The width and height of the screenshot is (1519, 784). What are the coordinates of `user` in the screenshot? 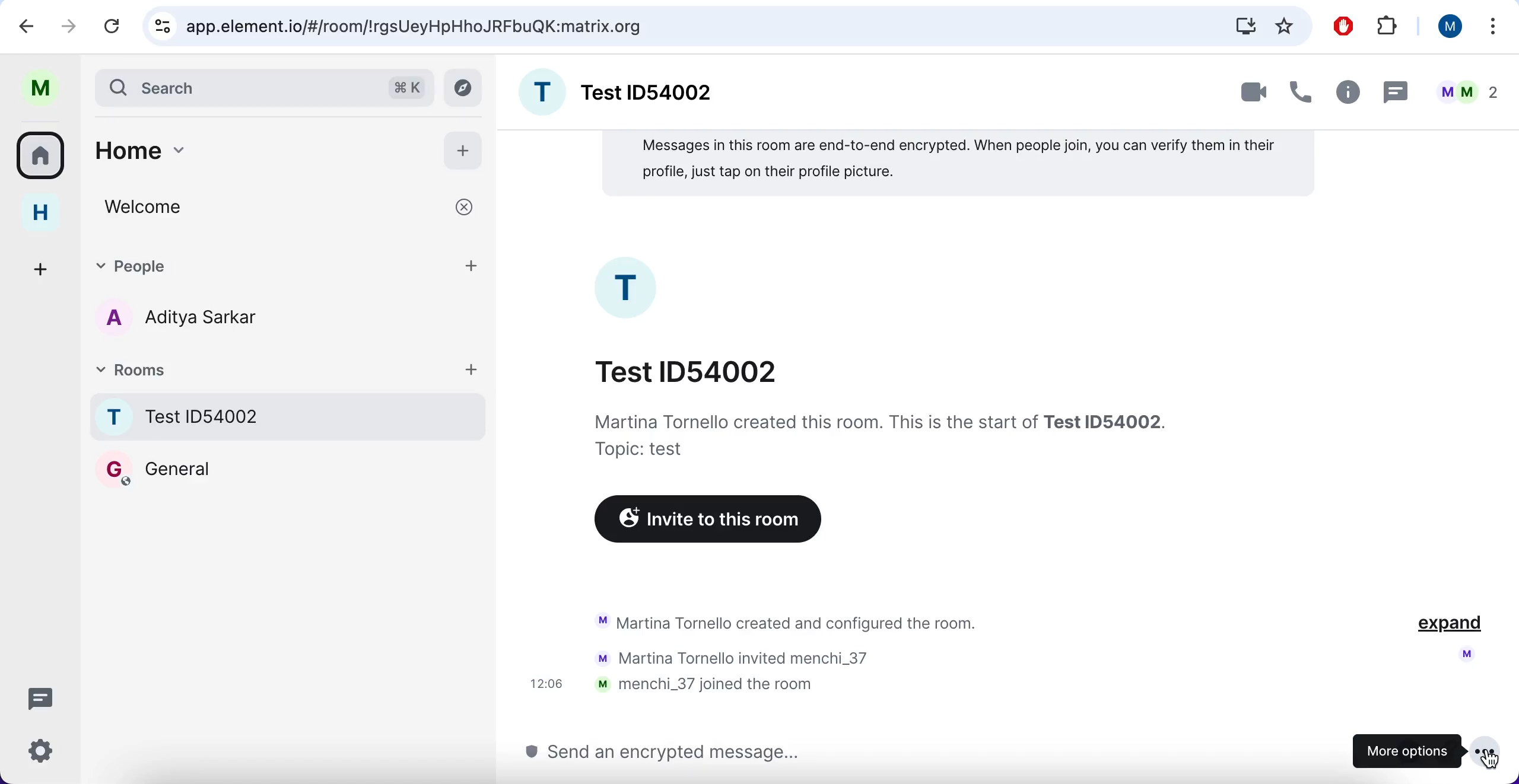 It's located at (40, 88).